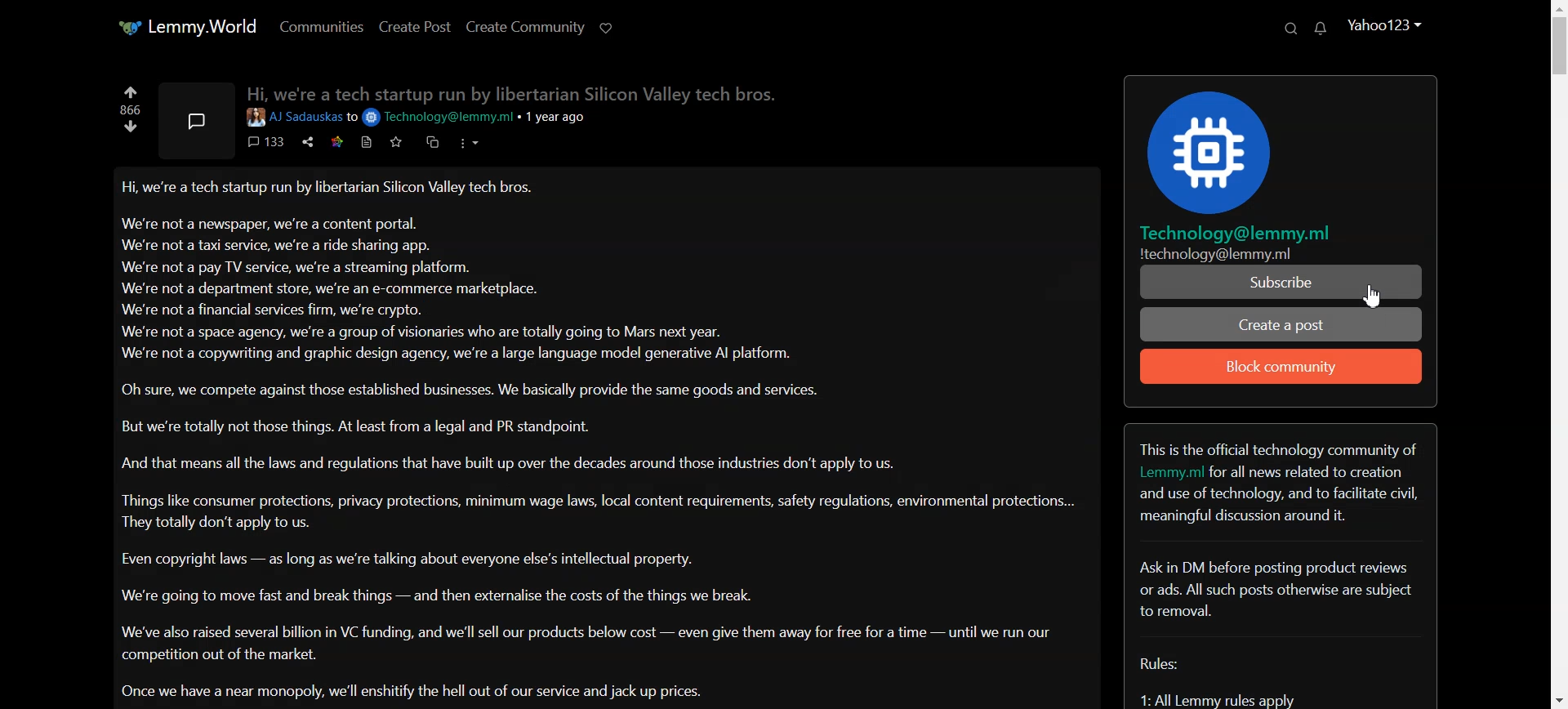 This screenshot has height=709, width=1568. I want to click on share, so click(309, 143).